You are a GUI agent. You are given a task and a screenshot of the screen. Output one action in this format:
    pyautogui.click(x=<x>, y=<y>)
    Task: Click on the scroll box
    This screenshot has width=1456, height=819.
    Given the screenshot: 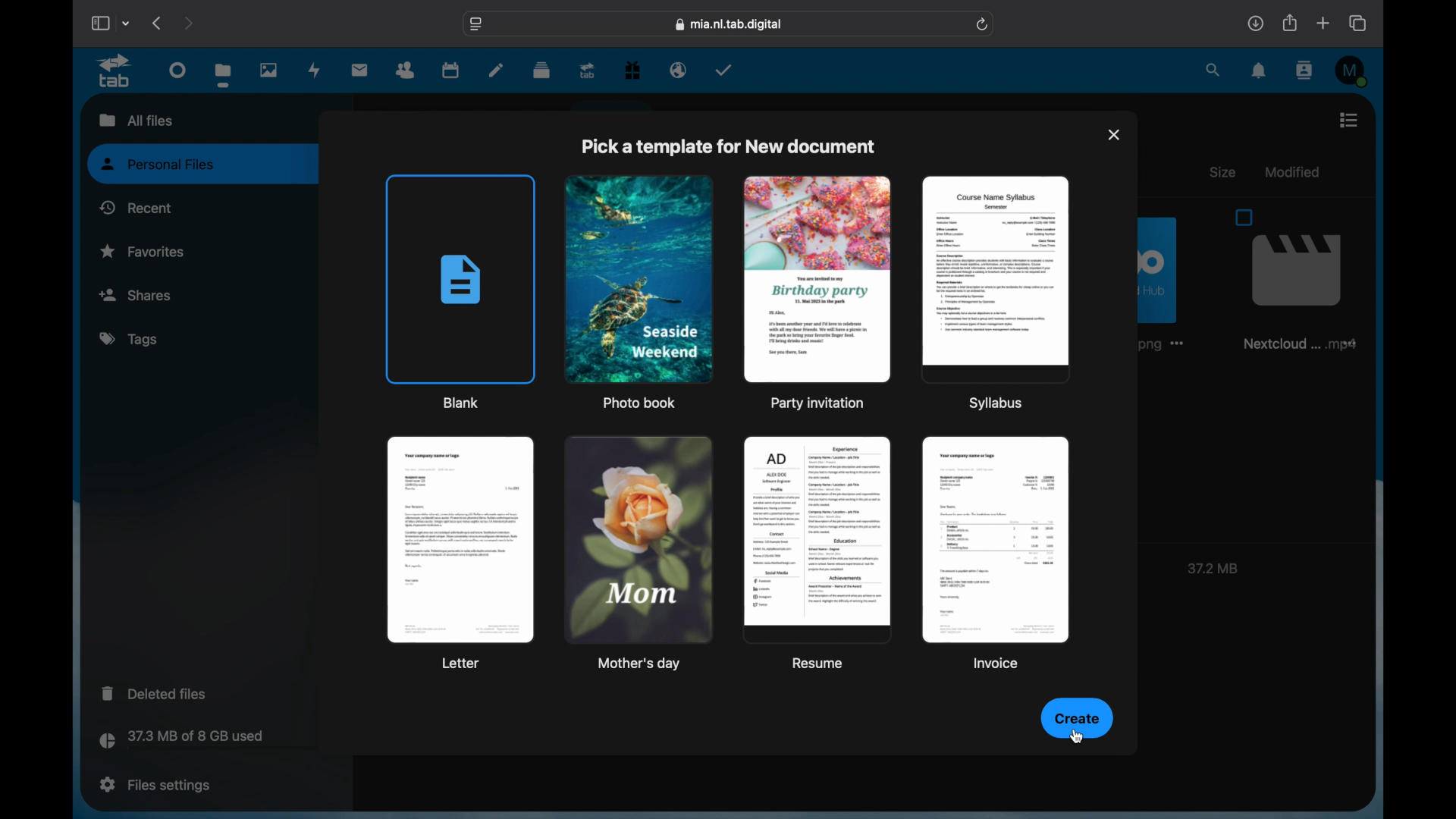 What is the action you would take?
    pyautogui.click(x=1373, y=447)
    